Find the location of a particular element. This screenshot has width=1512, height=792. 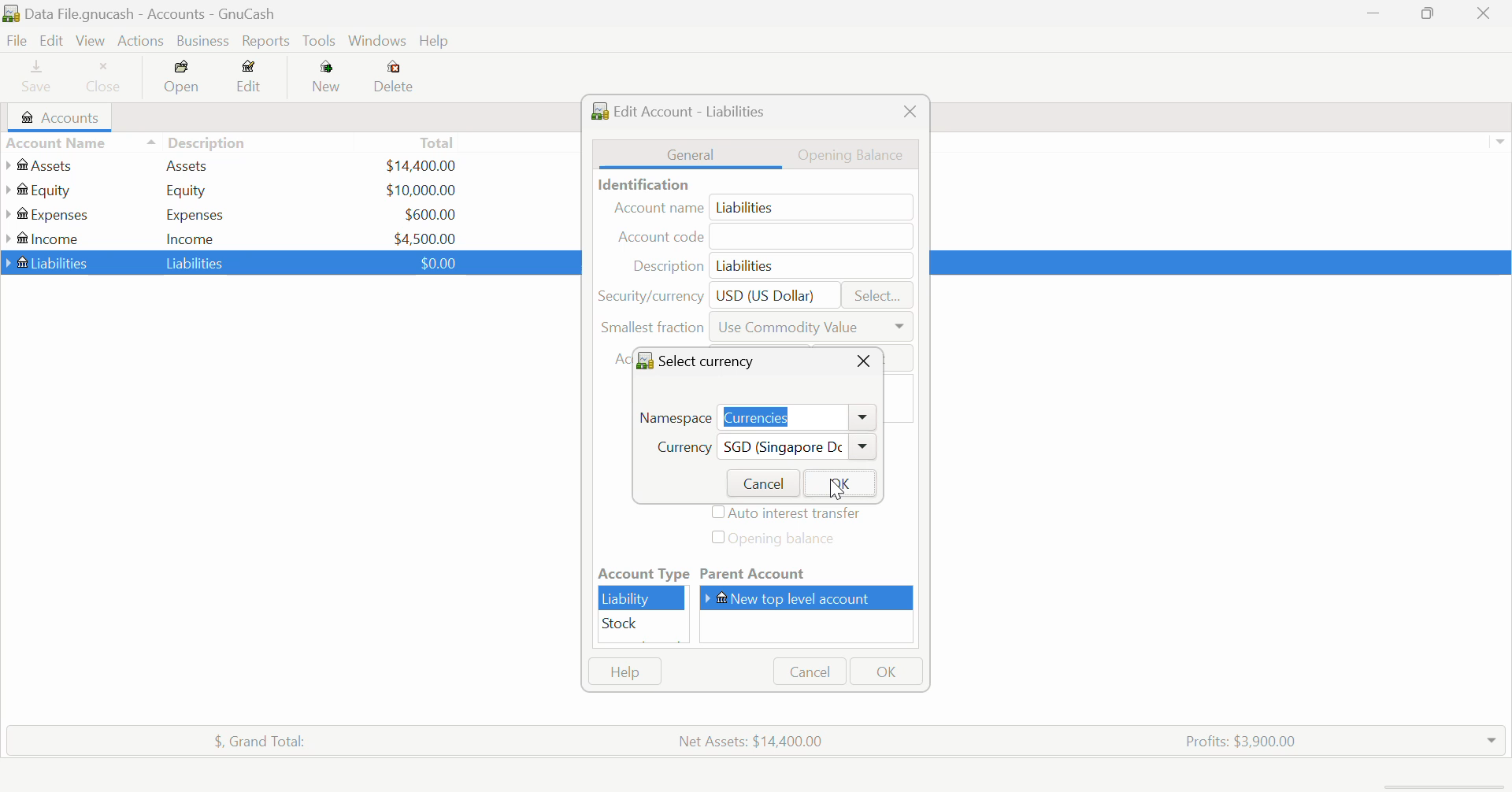

Close is located at coordinates (909, 112).